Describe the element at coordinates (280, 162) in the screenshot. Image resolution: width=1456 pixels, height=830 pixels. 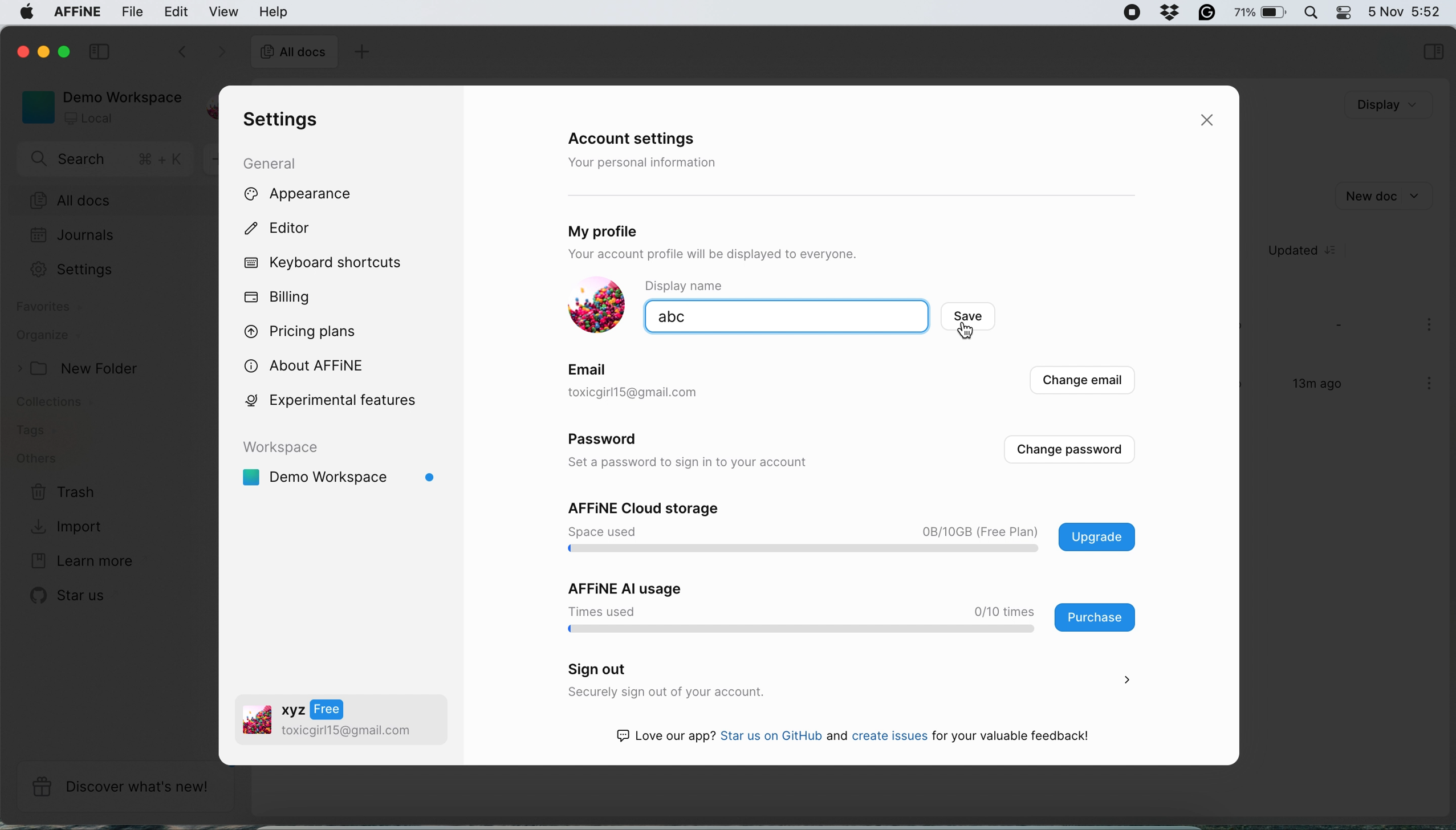
I see `general` at that location.